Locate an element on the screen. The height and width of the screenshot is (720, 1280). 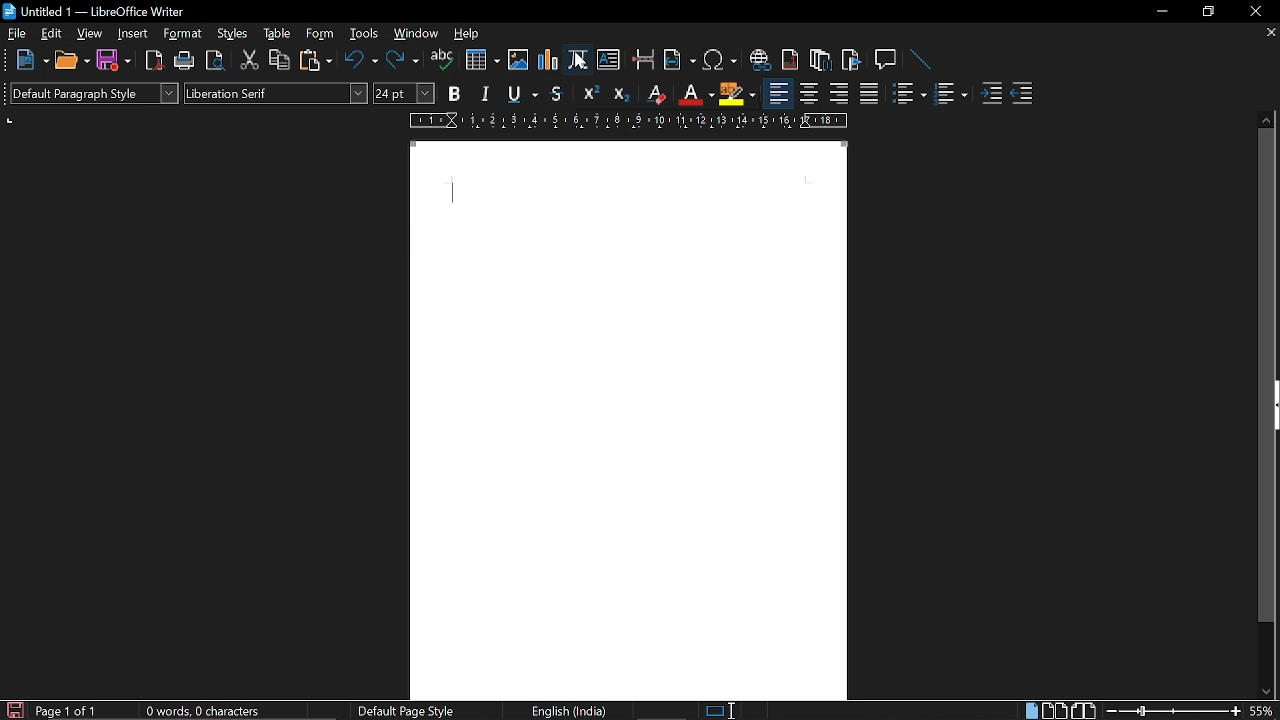
spelling check is located at coordinates (442, 60).